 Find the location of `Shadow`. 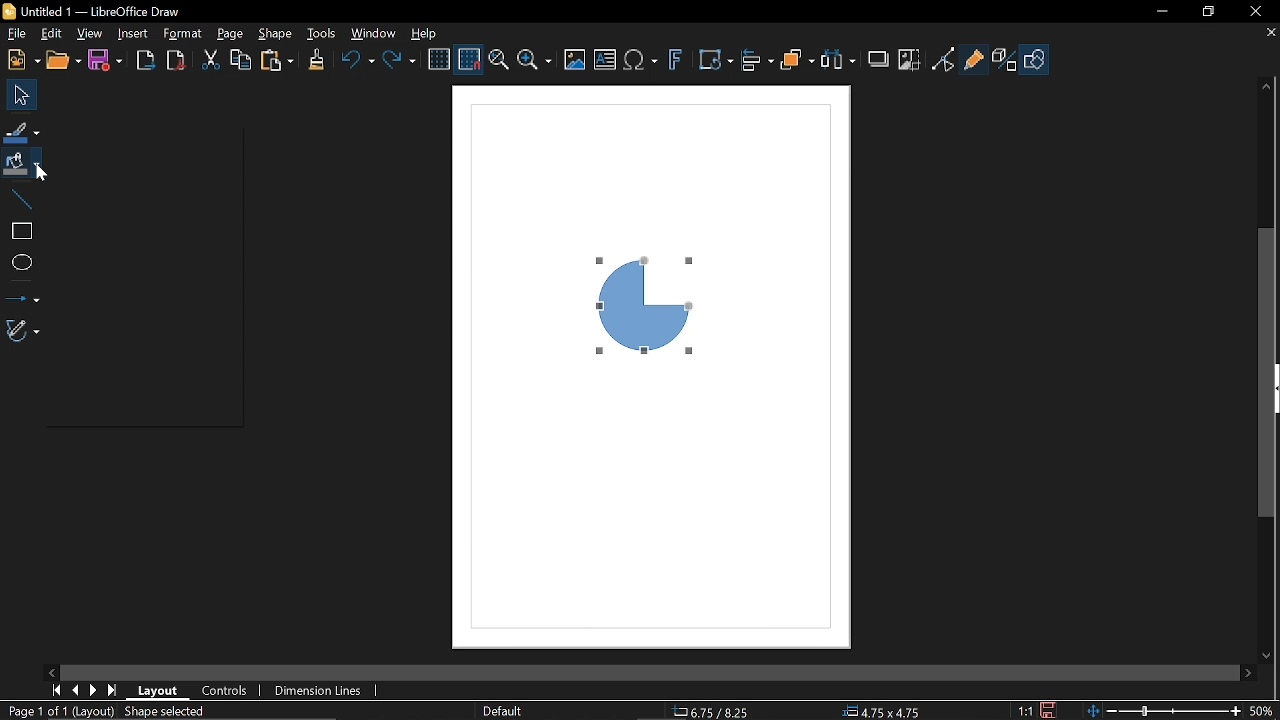

Shadow is located at coordinates (879, 63).